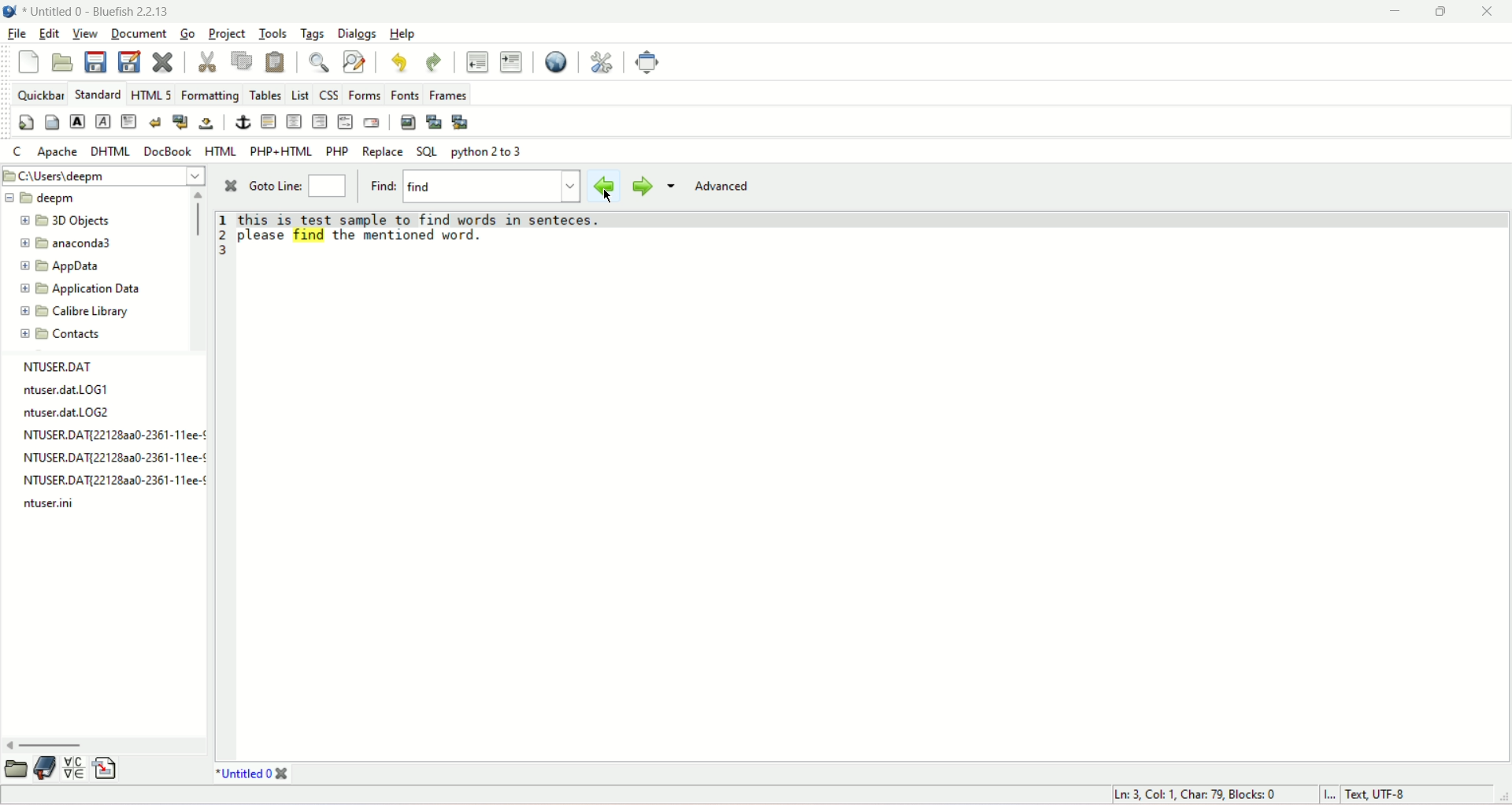  What do you see at coordinates (112, 436) in the screenshot?
I see `NTUSER.DAT{221282a0-2361-11ee-¢` at bounding box center [112, 436].